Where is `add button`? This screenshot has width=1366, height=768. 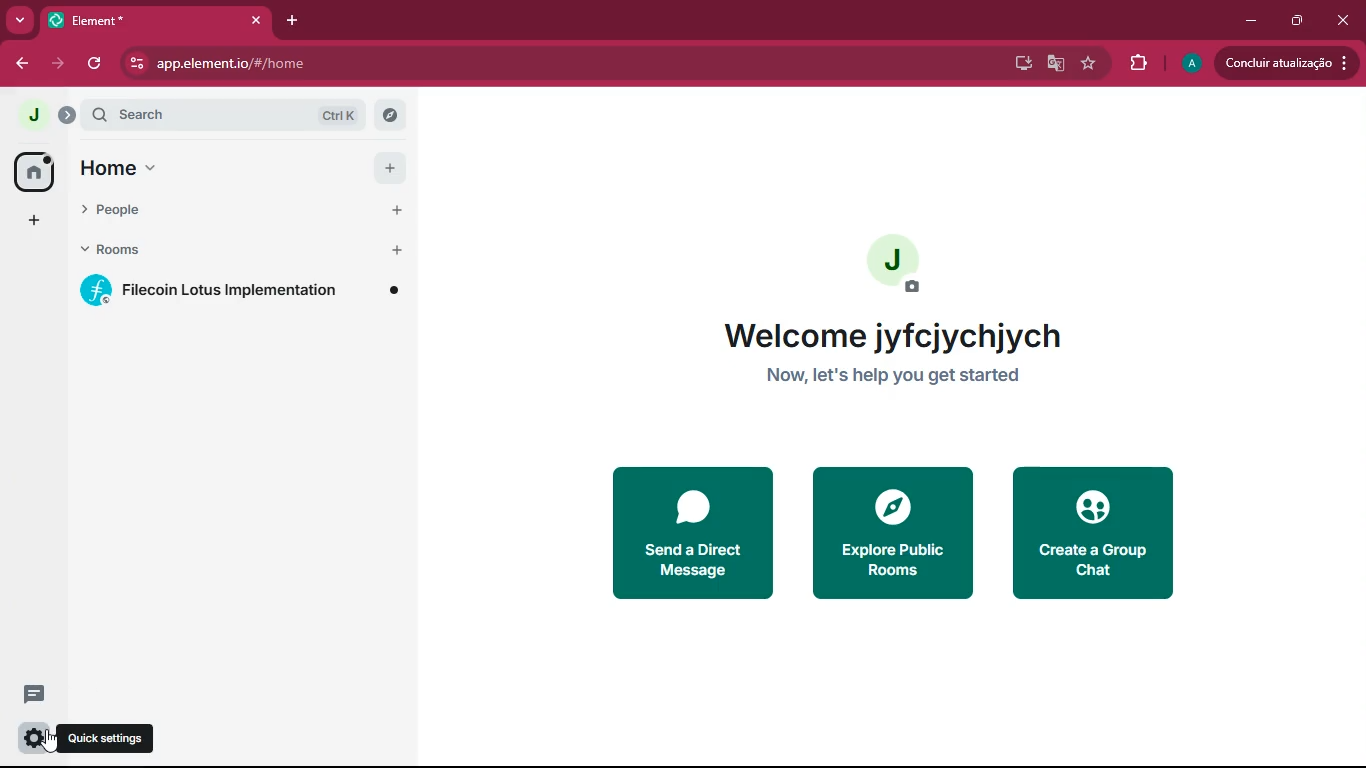
add button is located at coordinates (394, 251).